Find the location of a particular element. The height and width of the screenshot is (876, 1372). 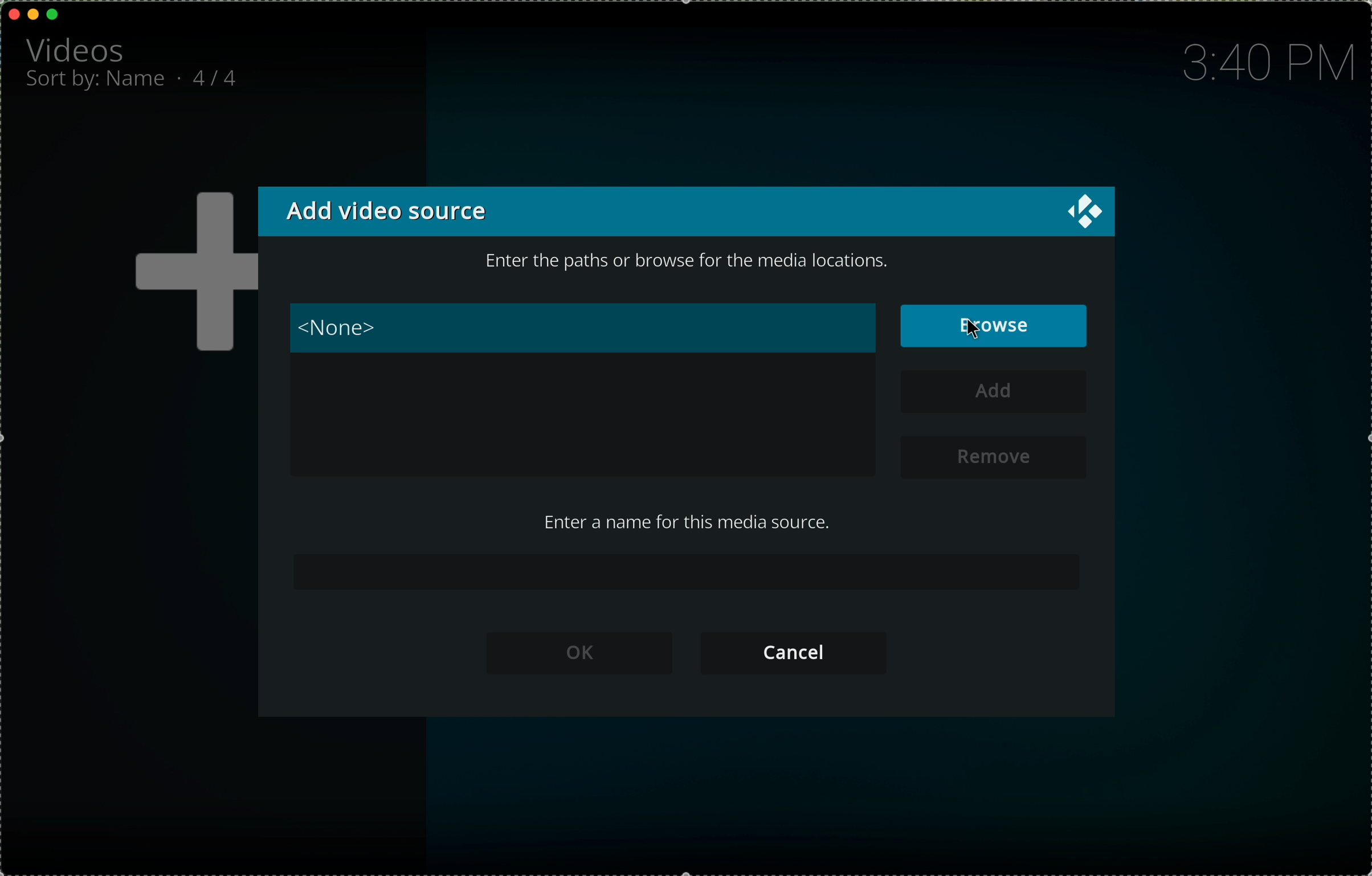

plus icon is located at coordinates (190, 274).